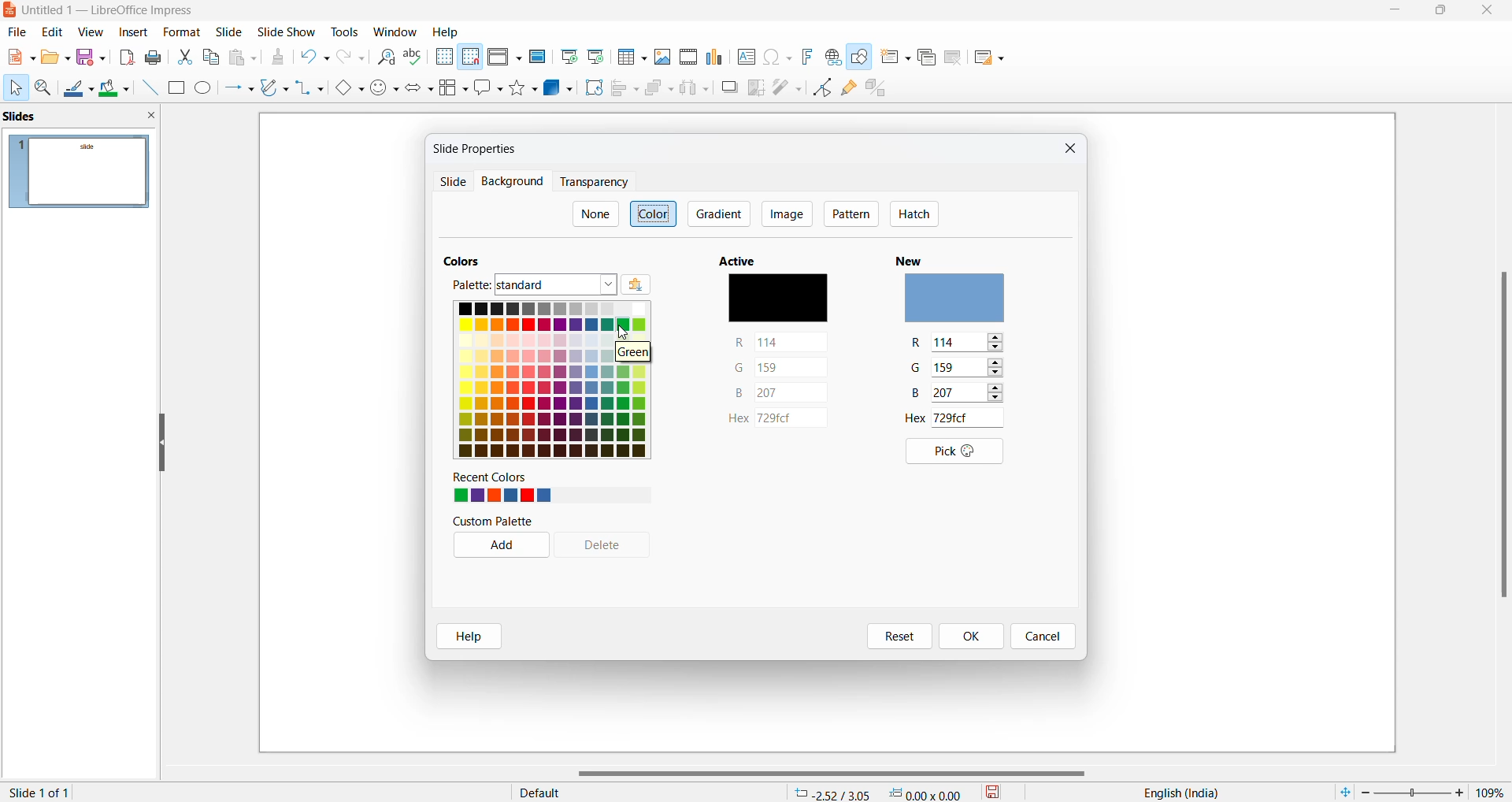  I want to click on delete, so click(610, 547).